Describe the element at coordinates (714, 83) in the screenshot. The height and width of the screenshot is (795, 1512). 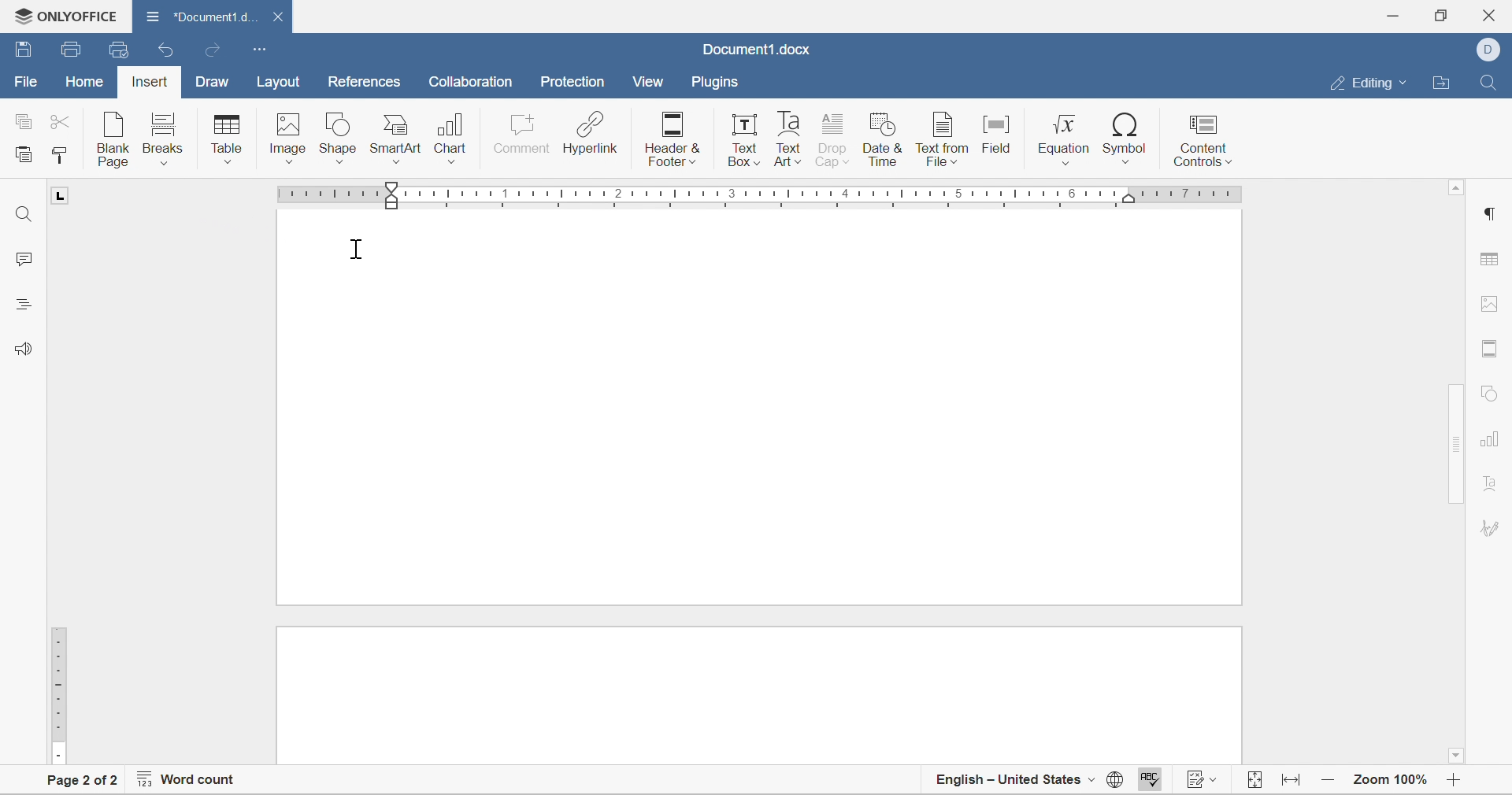
I see `Plugins` at that location.